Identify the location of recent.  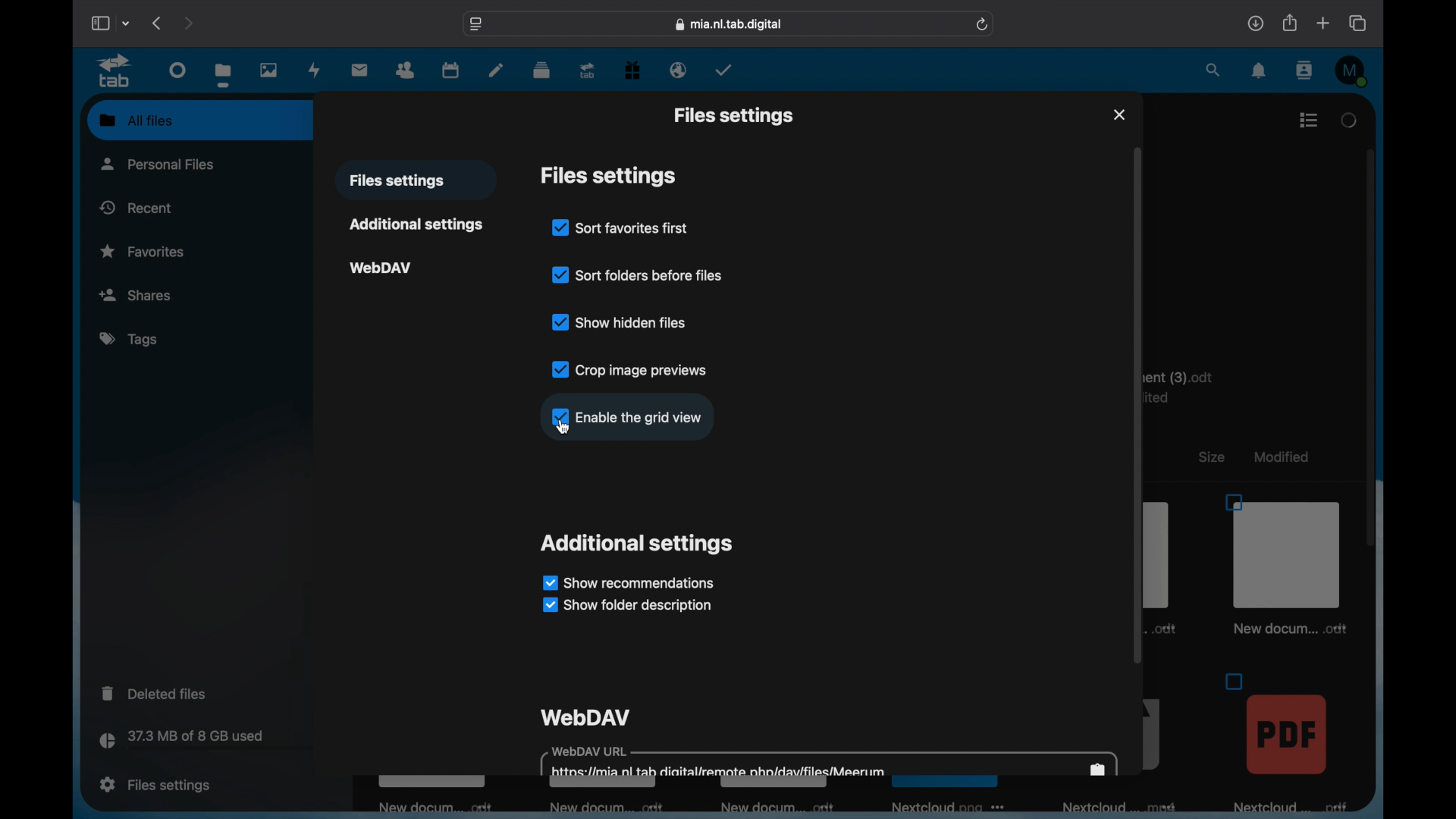
(136, 207).